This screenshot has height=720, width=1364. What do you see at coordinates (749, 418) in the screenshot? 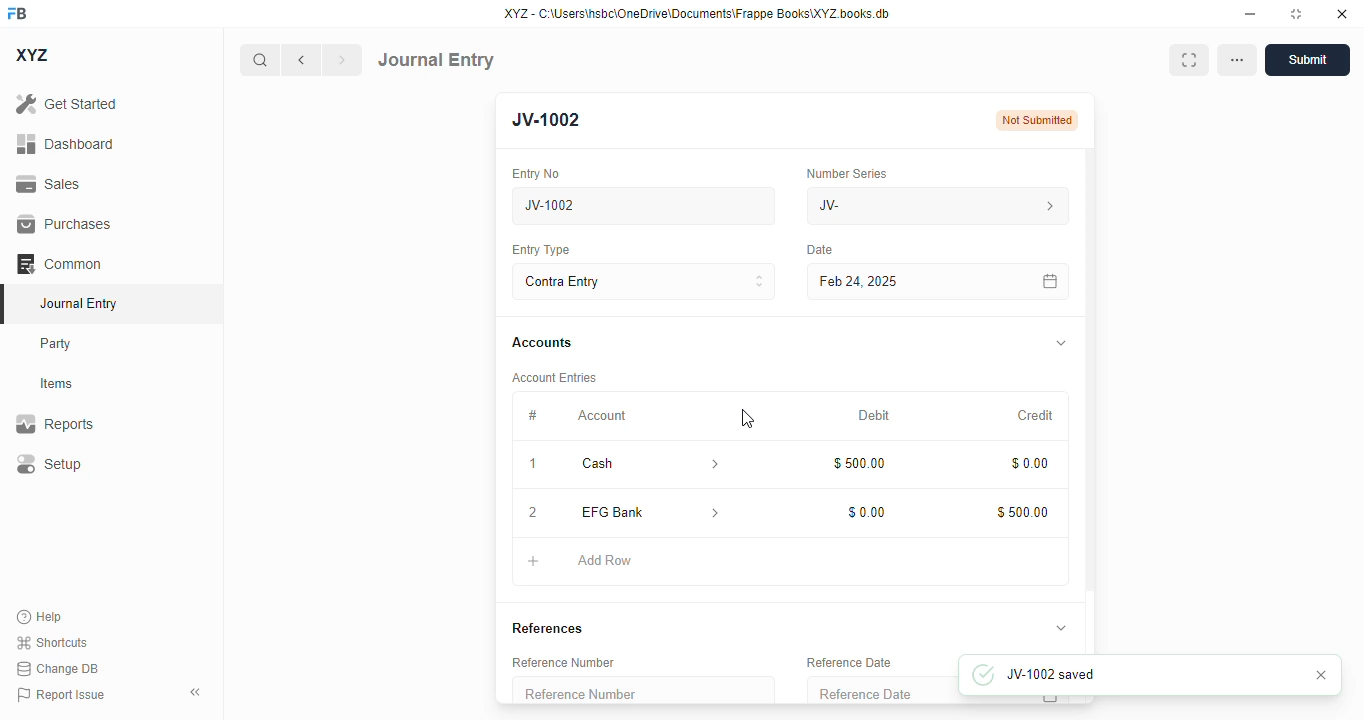
I see `cursor` at bounding box center [749, 418].